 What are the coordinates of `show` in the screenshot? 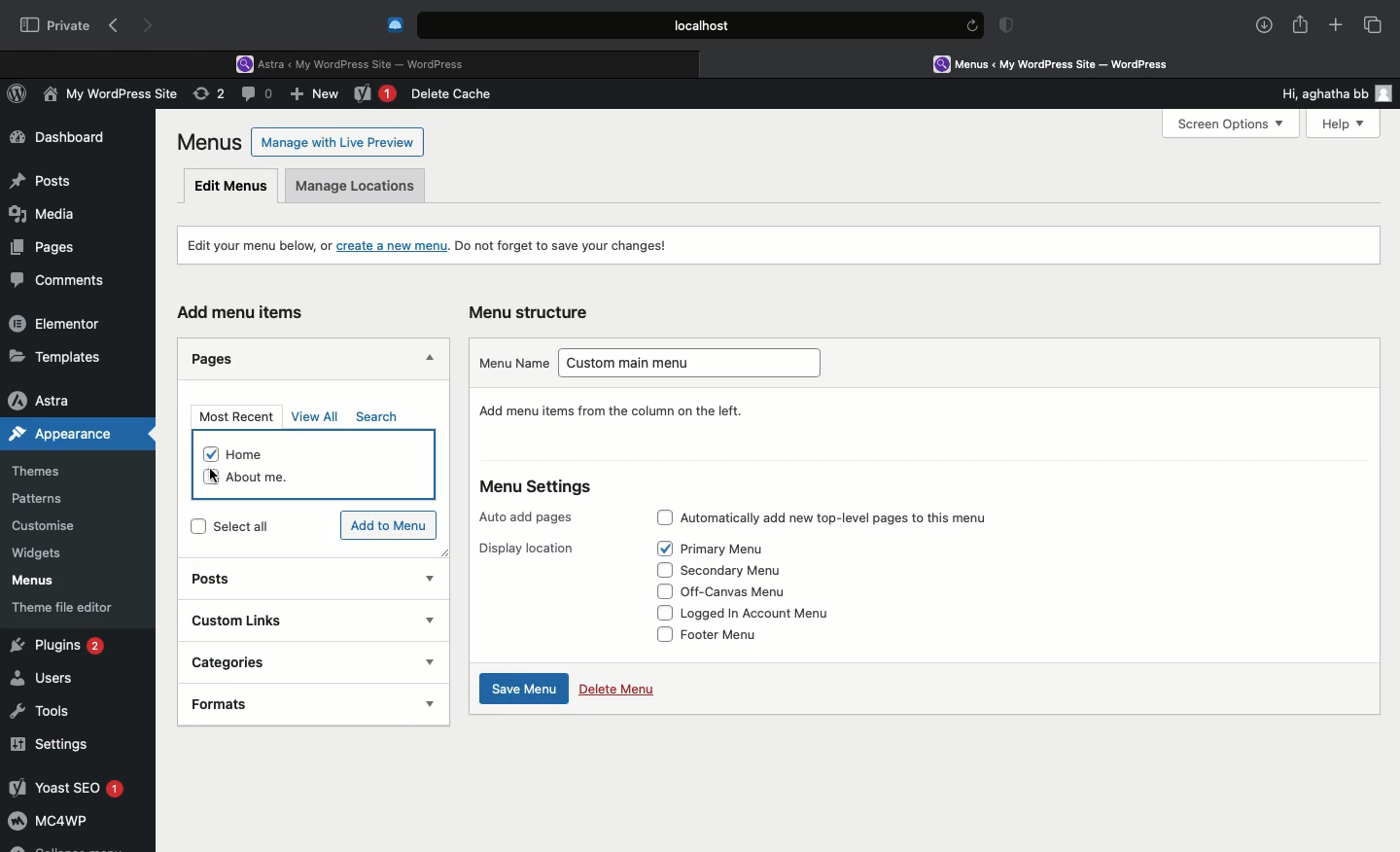 It's located at (429, 702).